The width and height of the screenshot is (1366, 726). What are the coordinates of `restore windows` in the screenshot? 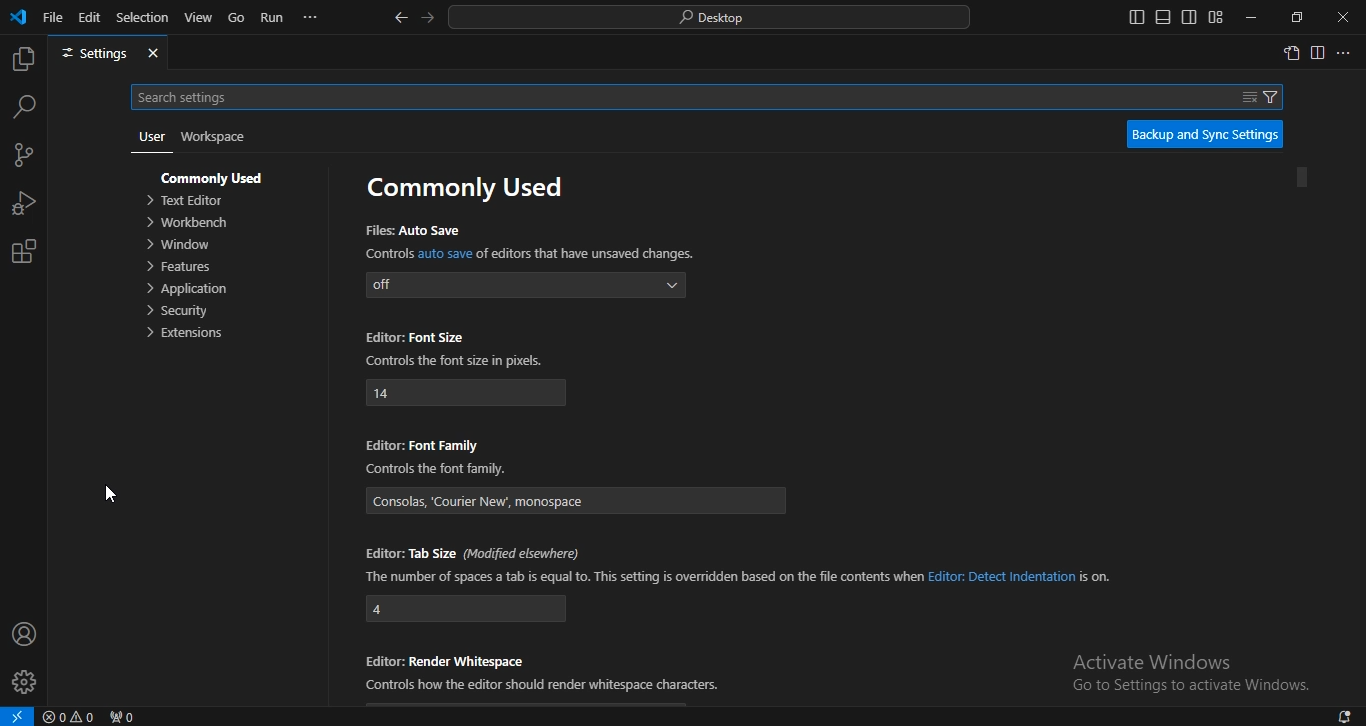 It's located at (1294, 18).